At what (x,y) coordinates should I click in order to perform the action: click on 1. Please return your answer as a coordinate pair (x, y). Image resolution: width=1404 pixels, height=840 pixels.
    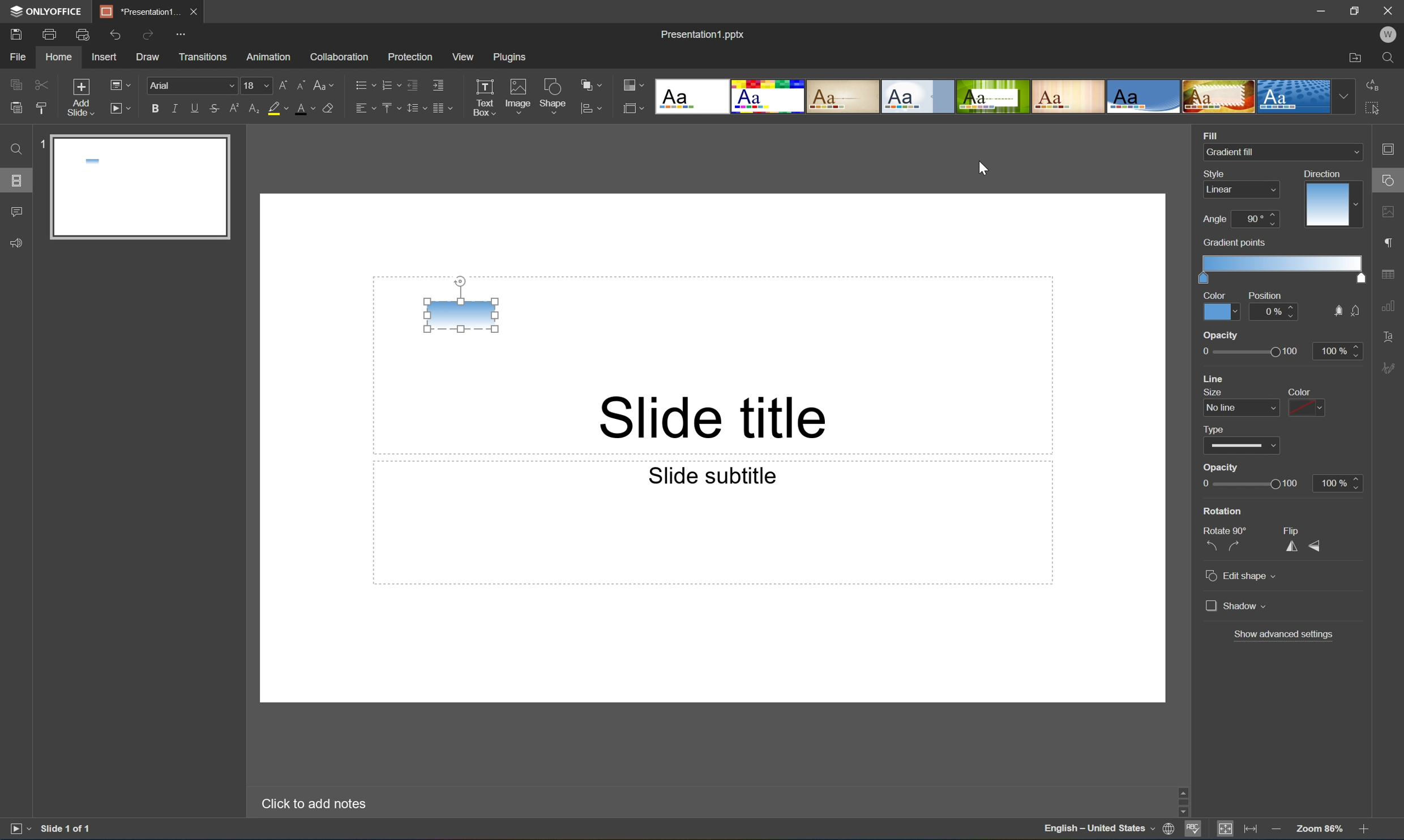
    Looking at the image, I should click on (41, 147).